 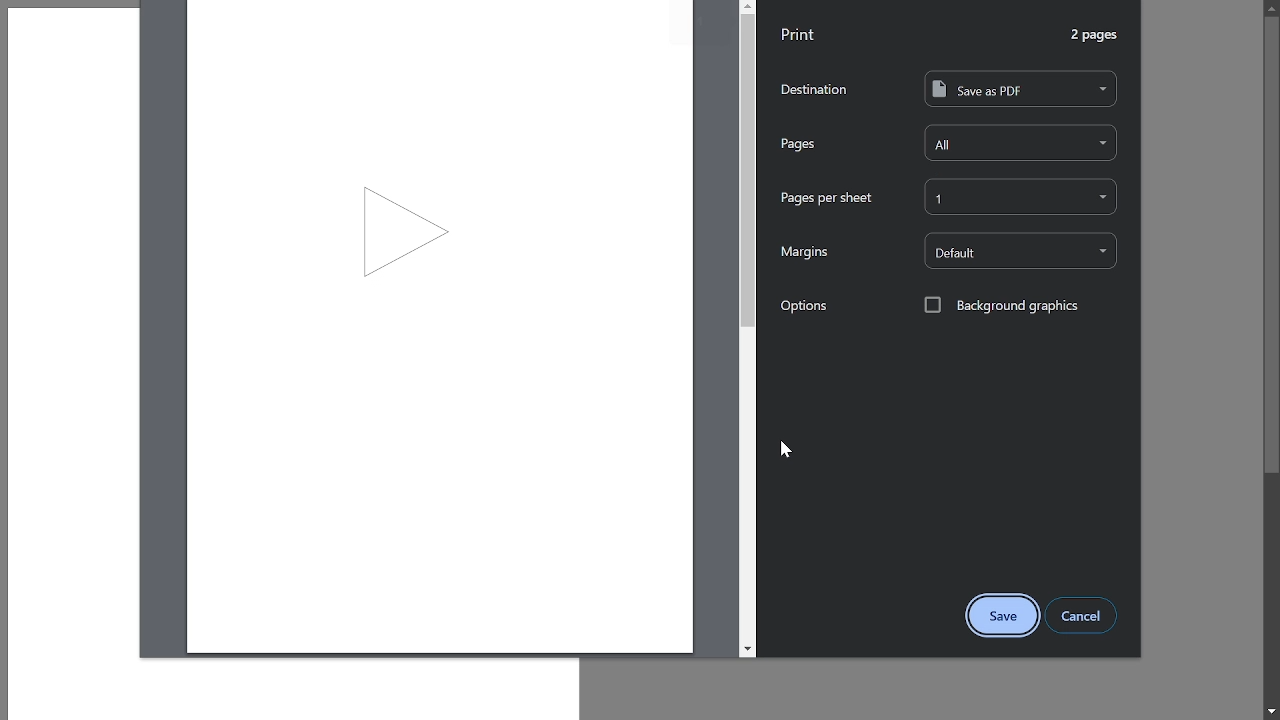 I want to click on Cursor, so click(x=786, y=449).